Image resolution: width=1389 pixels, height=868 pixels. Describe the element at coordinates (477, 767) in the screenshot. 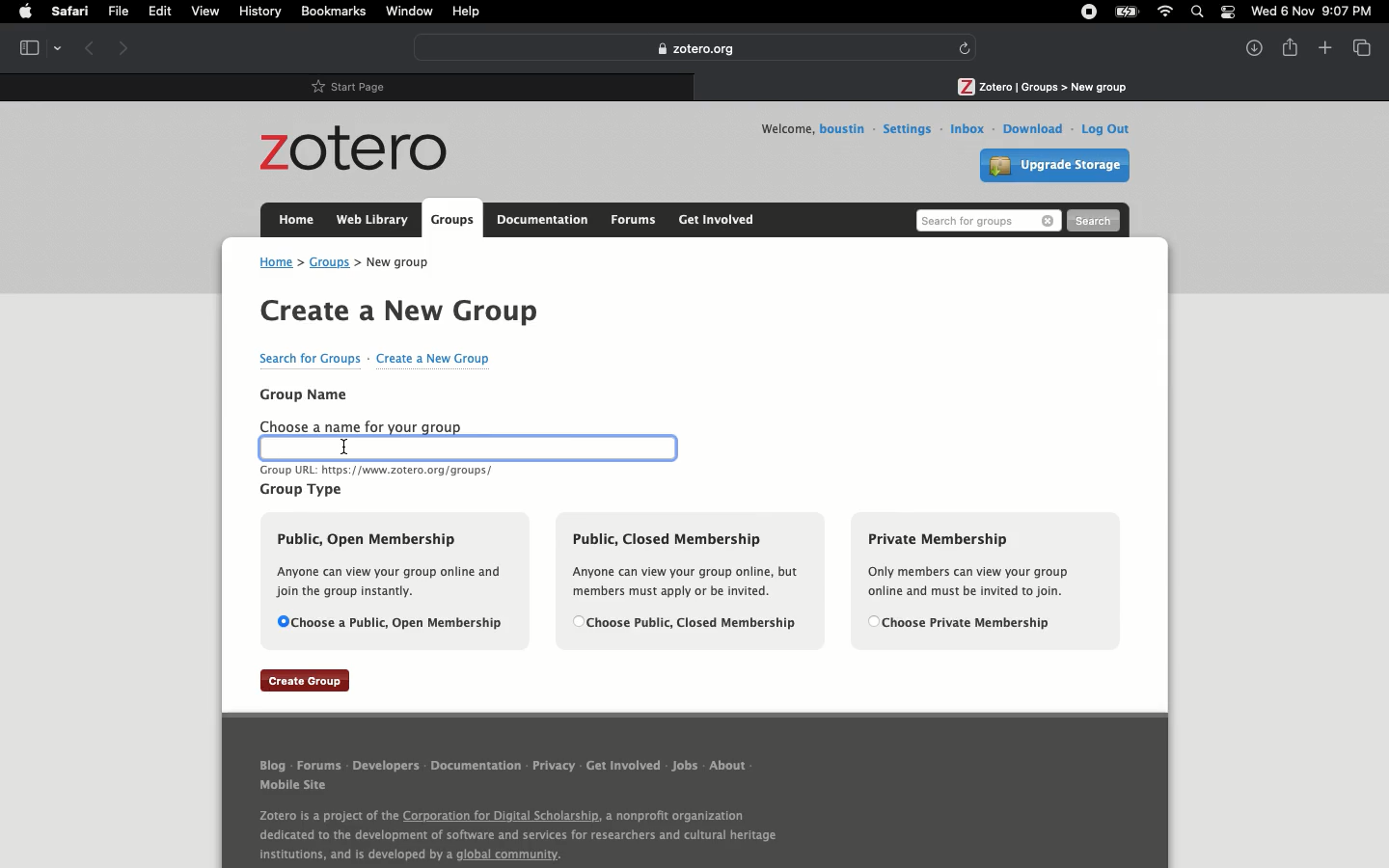

I see `Documentation` at that location.